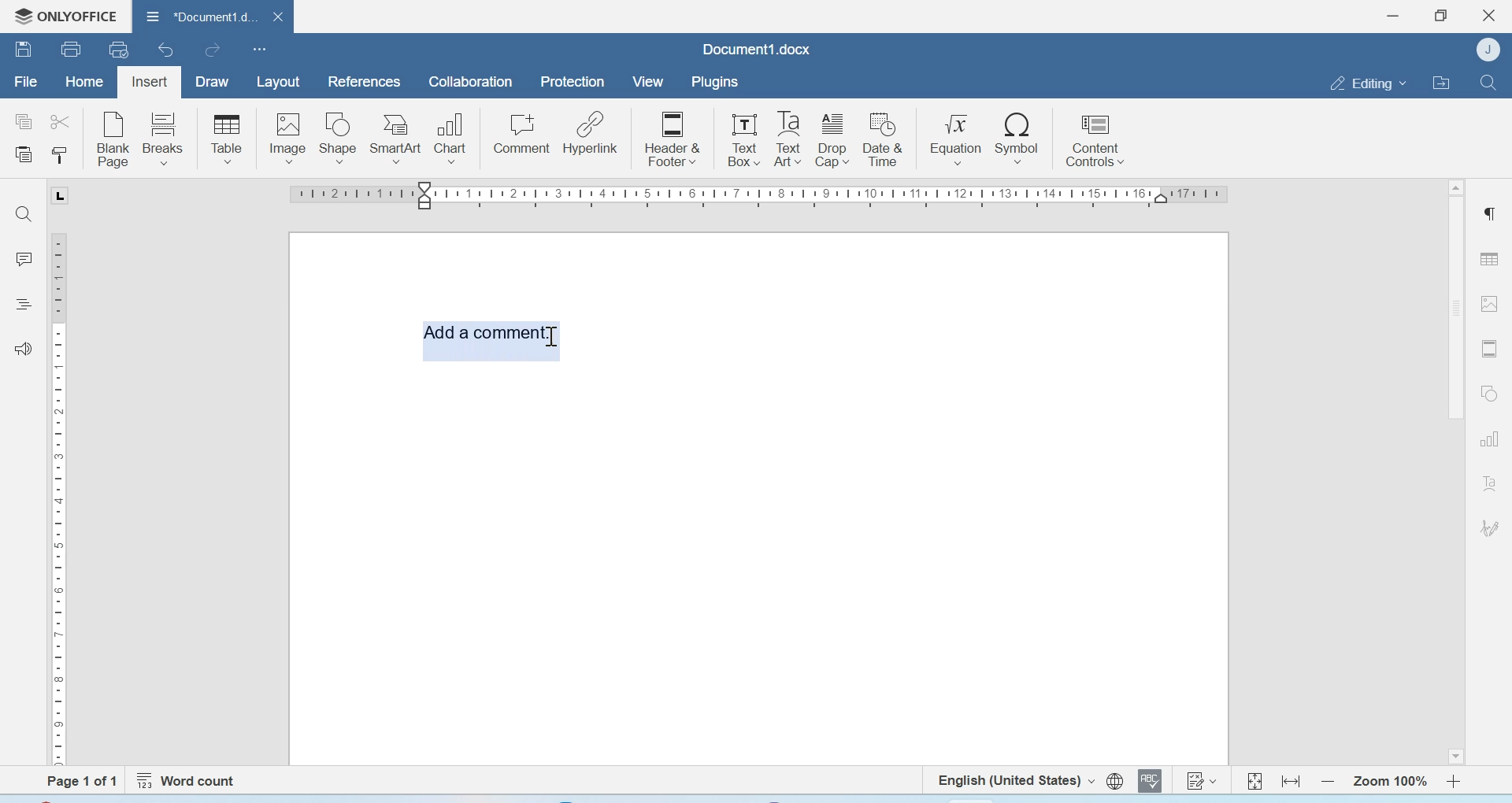 The width and height of the screenshot is (1512, 803). Describe the element at coordinates (1488, 50) in the screenshot. I see `` at that location.